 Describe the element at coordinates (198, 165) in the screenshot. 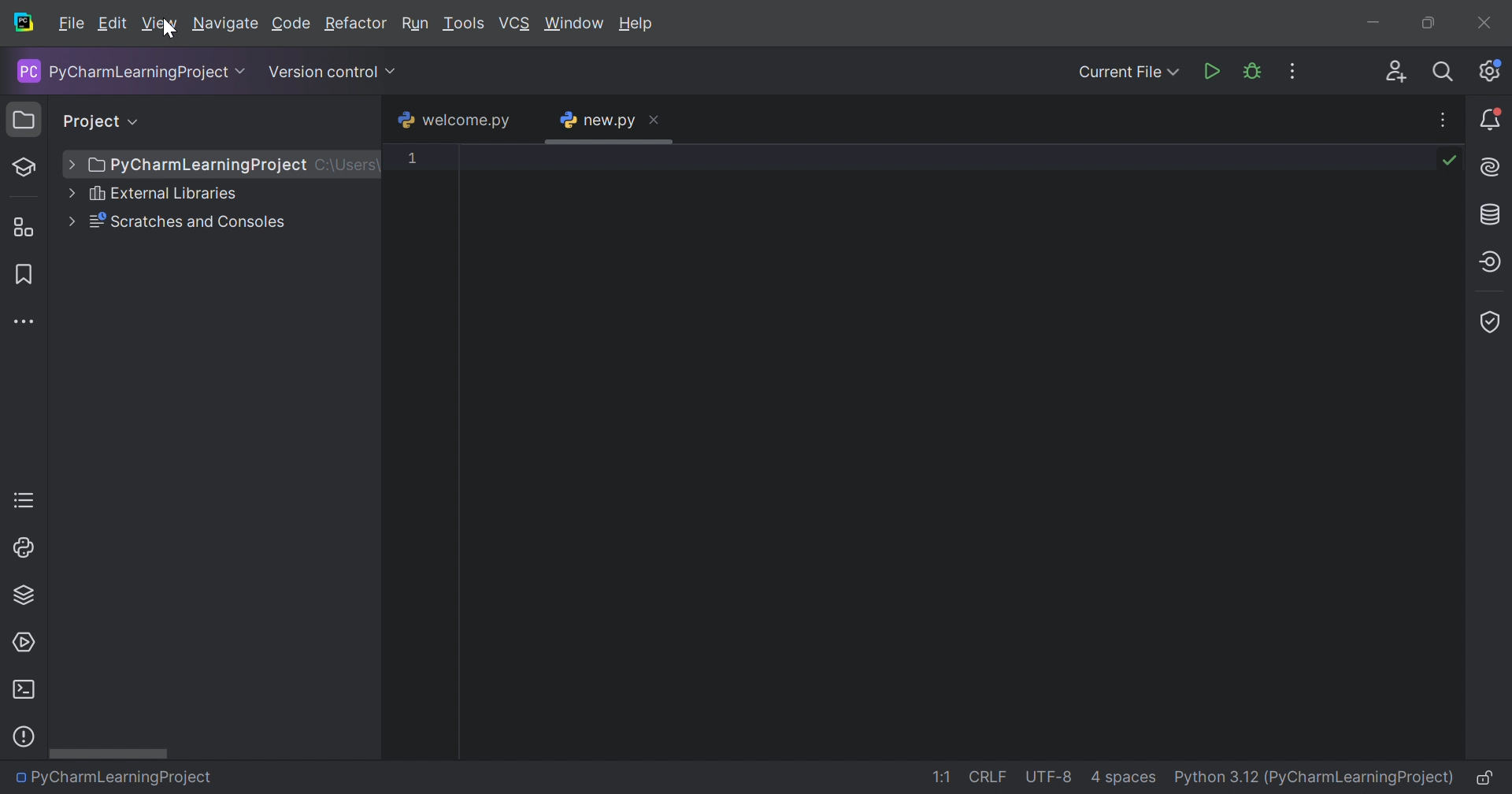

I see `PyCharmLearningProject` at that location.